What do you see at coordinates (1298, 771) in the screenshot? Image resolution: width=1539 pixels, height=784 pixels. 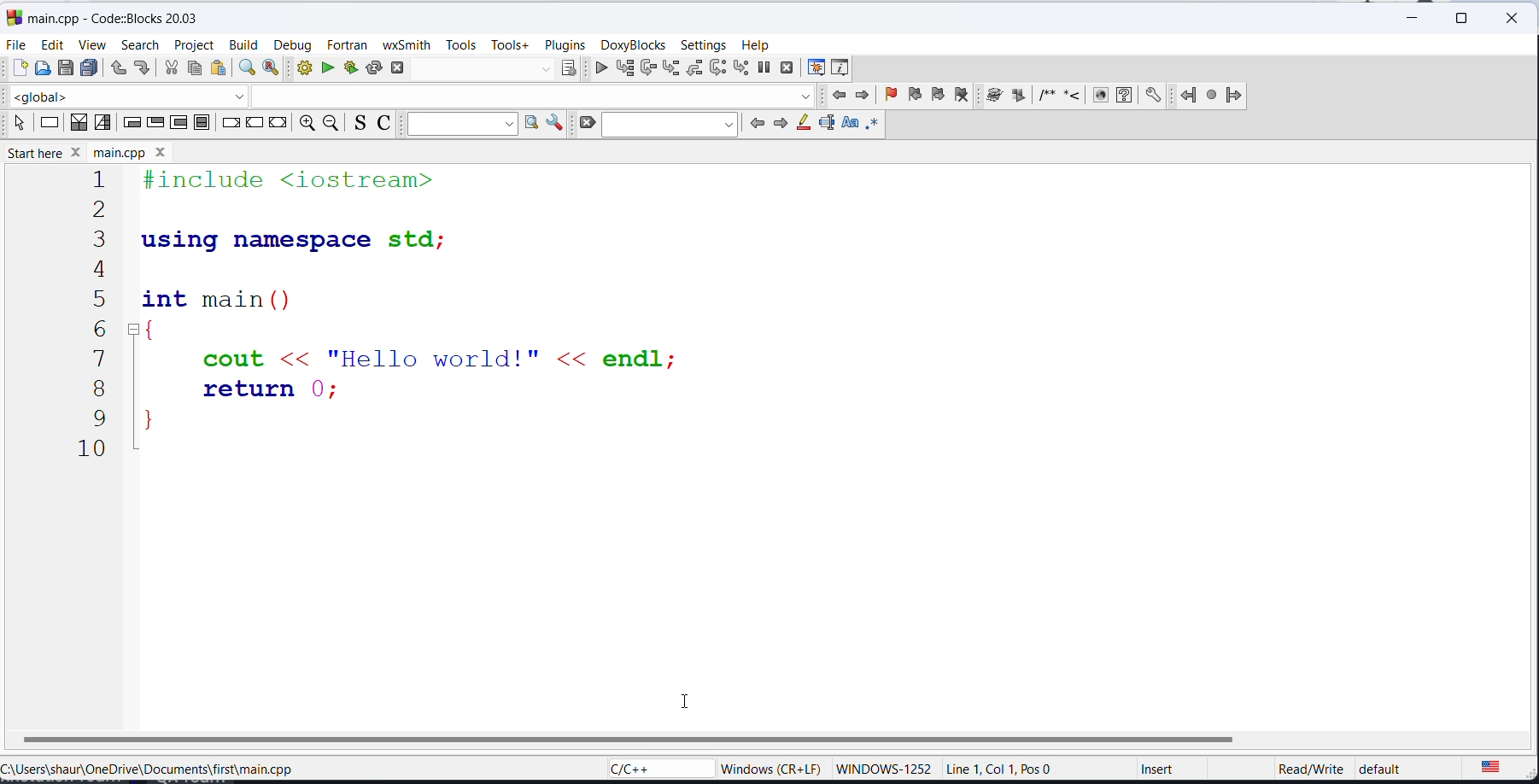 I see `file permission` at bounding box center [1298, 771].